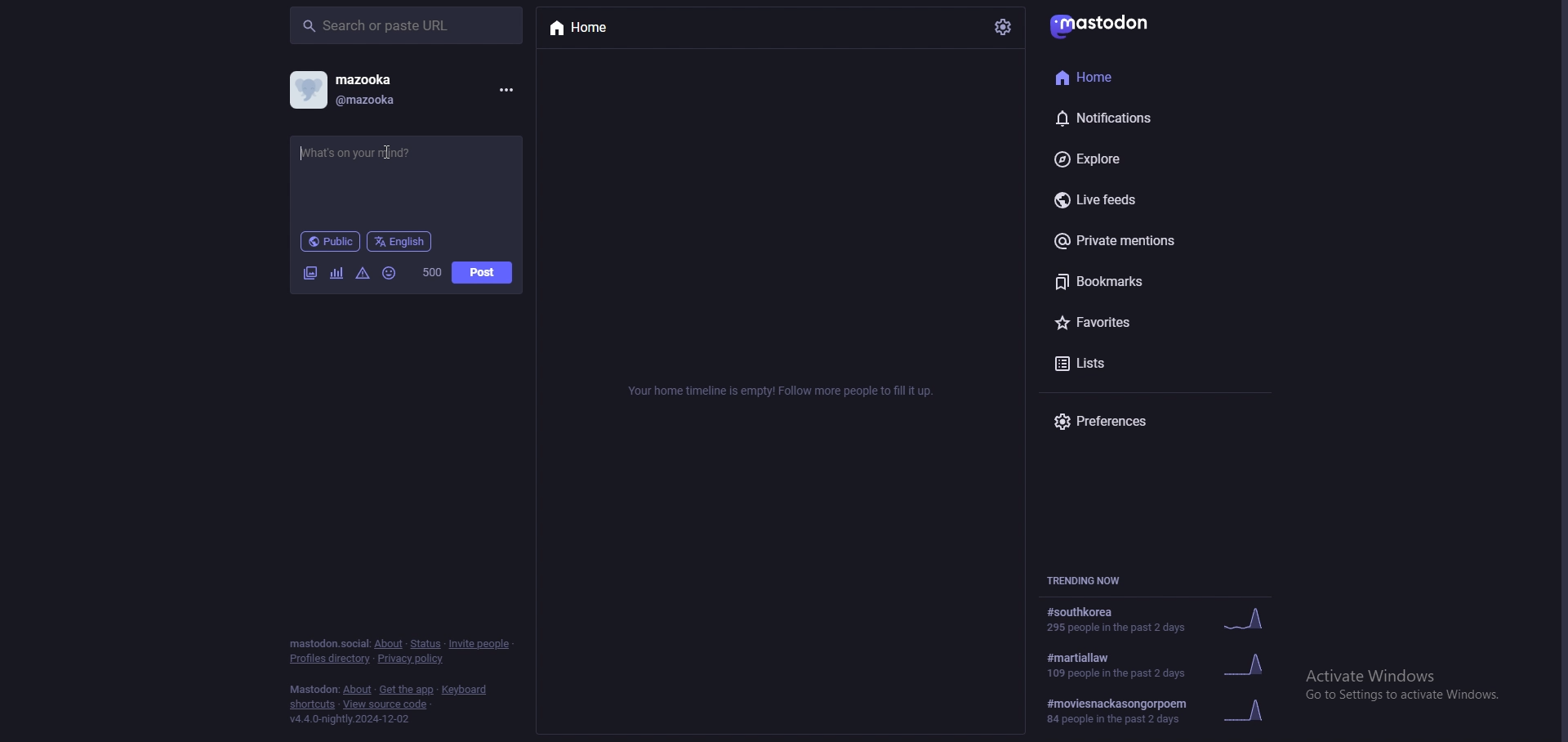 The width and height of the screenshot is (1568, 742). What do you see at coordinates (1141, 240) in the screenshot?
I see `private mentions` at bounding box center [1141, 240].